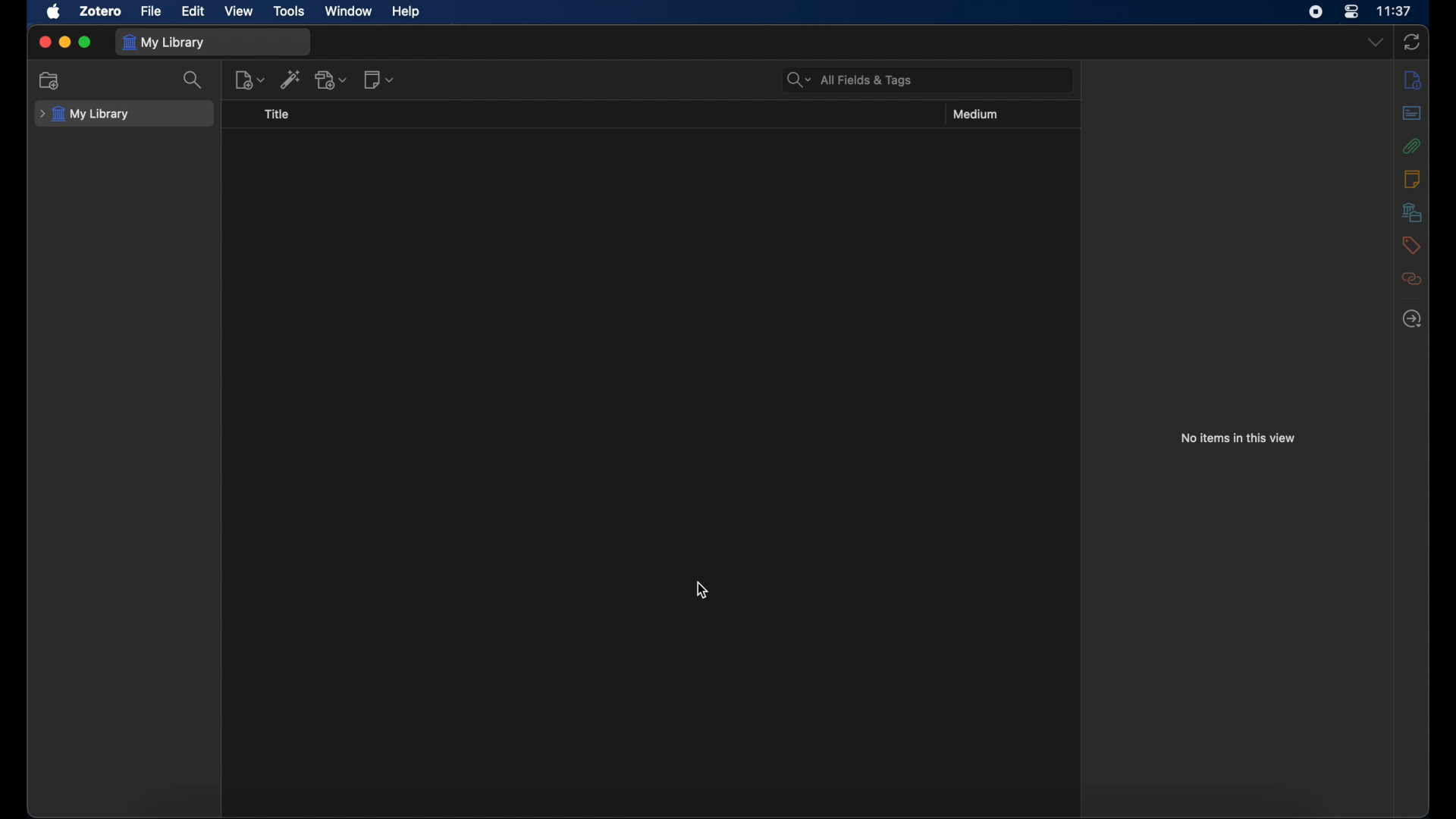 Image resolution: width=1456 pixels, height=819 pixels. Describe the element at coordinates (250, 80) in the screenshot. I see `new item` at that location.